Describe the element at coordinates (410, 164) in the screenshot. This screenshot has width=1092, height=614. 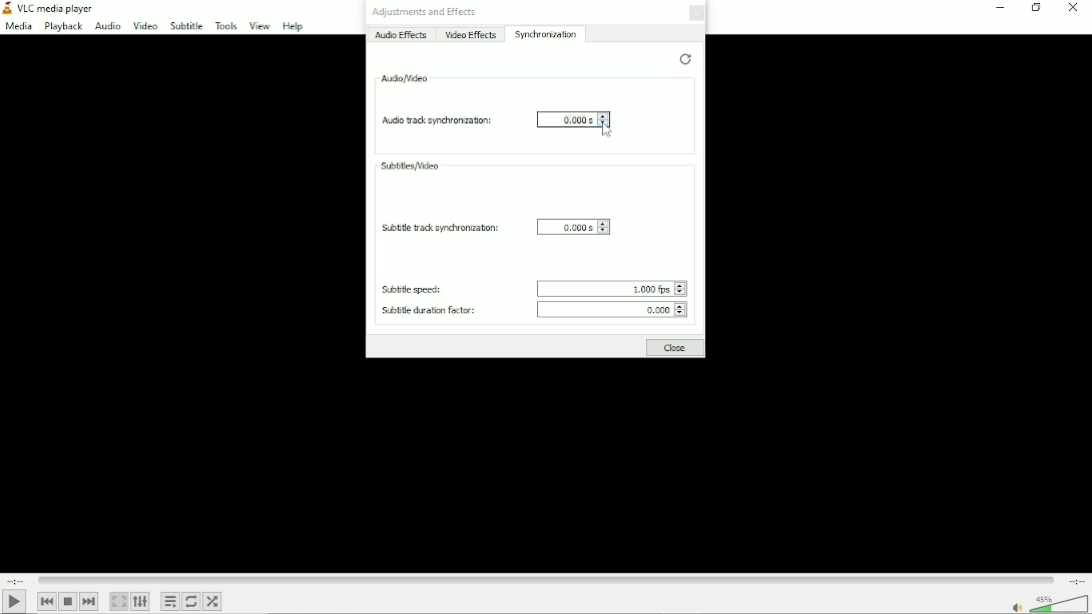
I see `subtitles/video` at that location.